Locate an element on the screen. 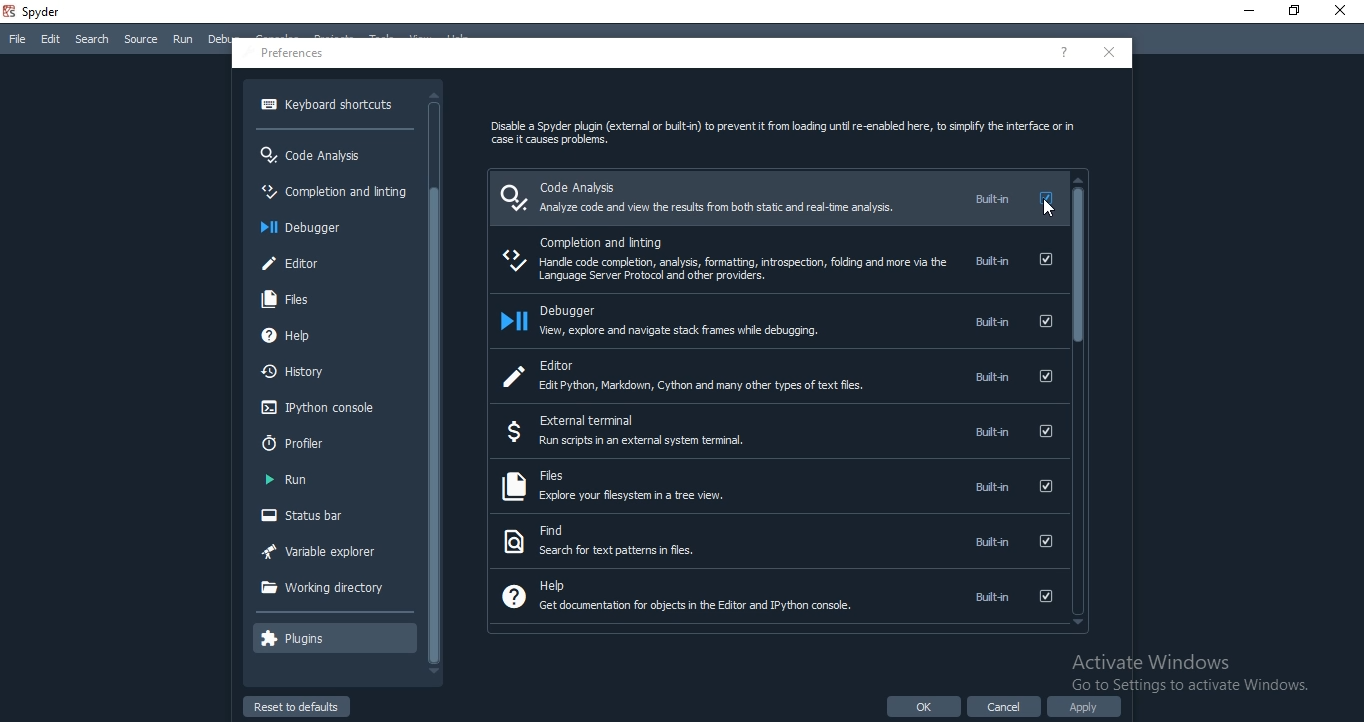  find  is located at coordinates (773, 540).